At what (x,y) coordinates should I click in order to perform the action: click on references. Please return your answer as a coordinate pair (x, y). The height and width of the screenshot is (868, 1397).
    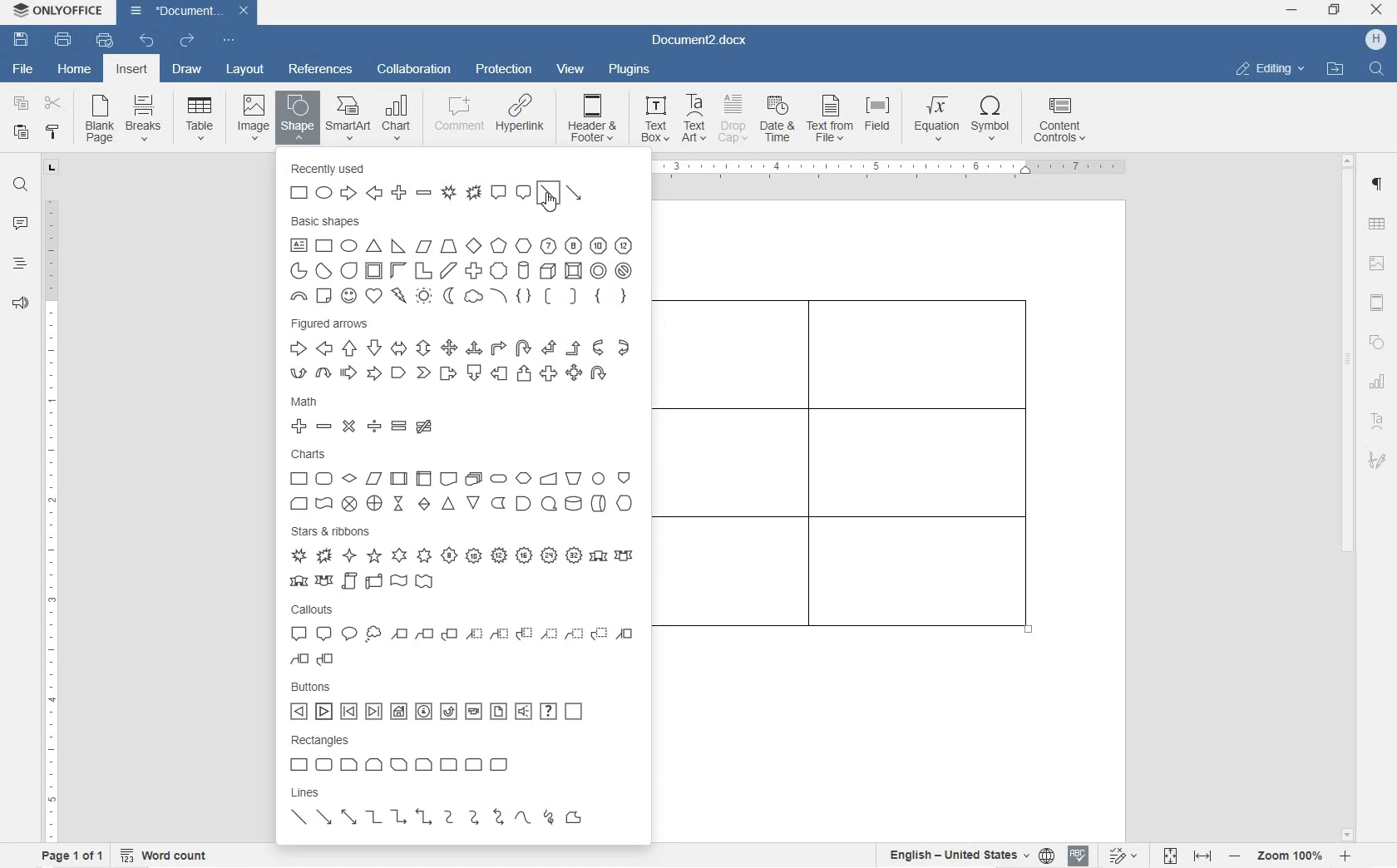
    Looking at the image, I should click on (320, 69).